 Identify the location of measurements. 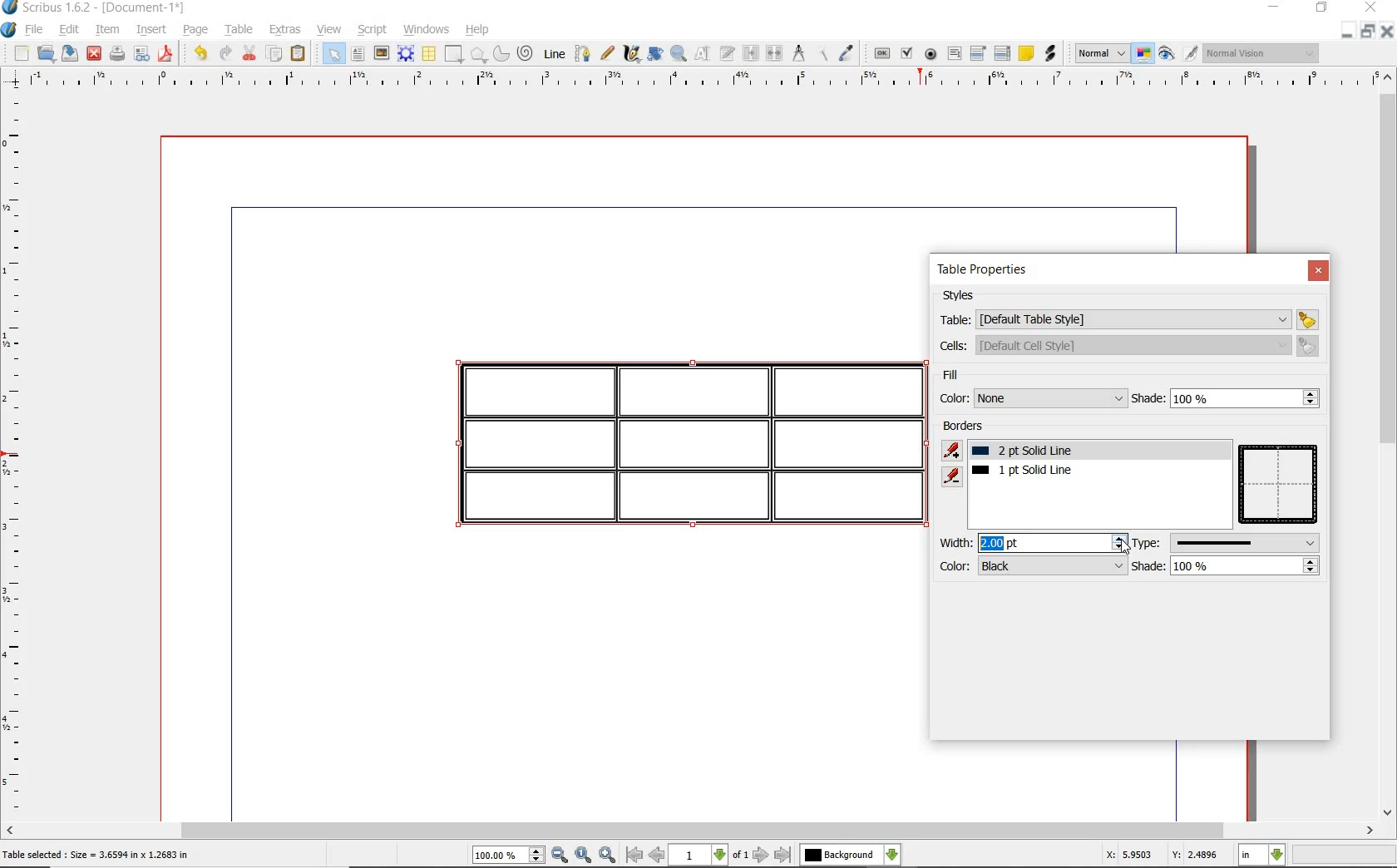
(799, 52).